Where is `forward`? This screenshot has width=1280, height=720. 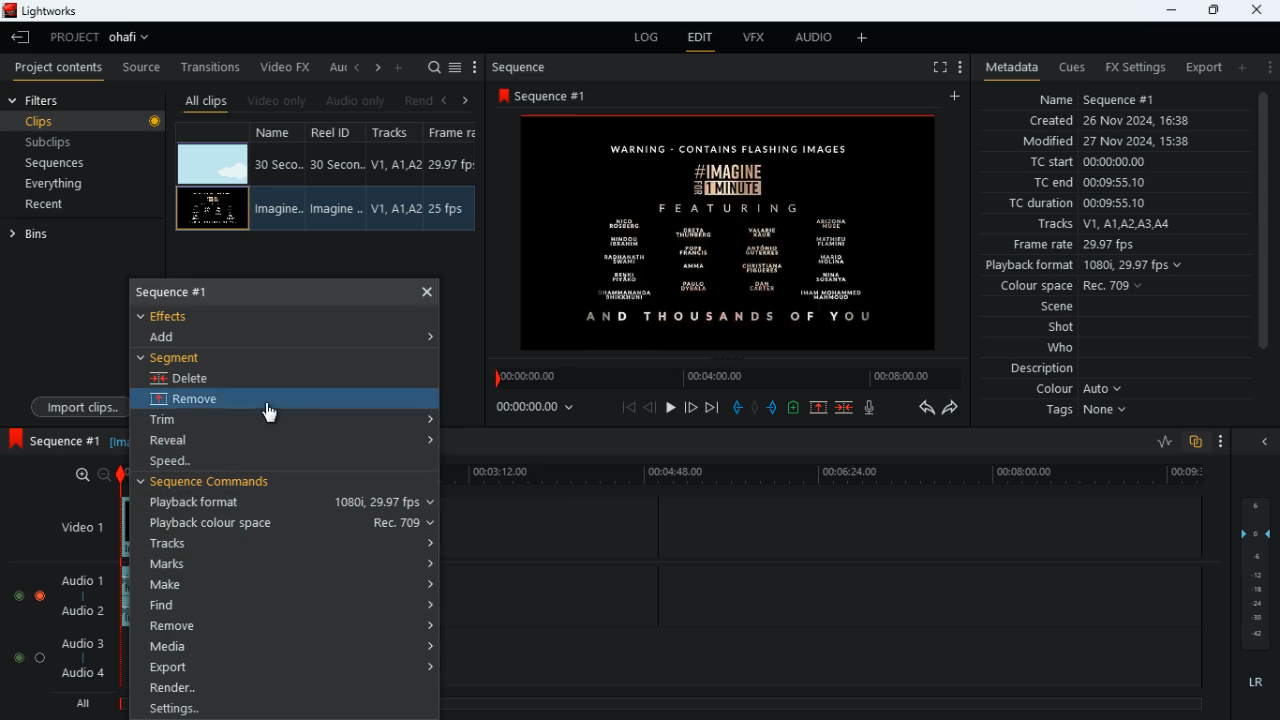
forward is located at coordinates (689, 407).